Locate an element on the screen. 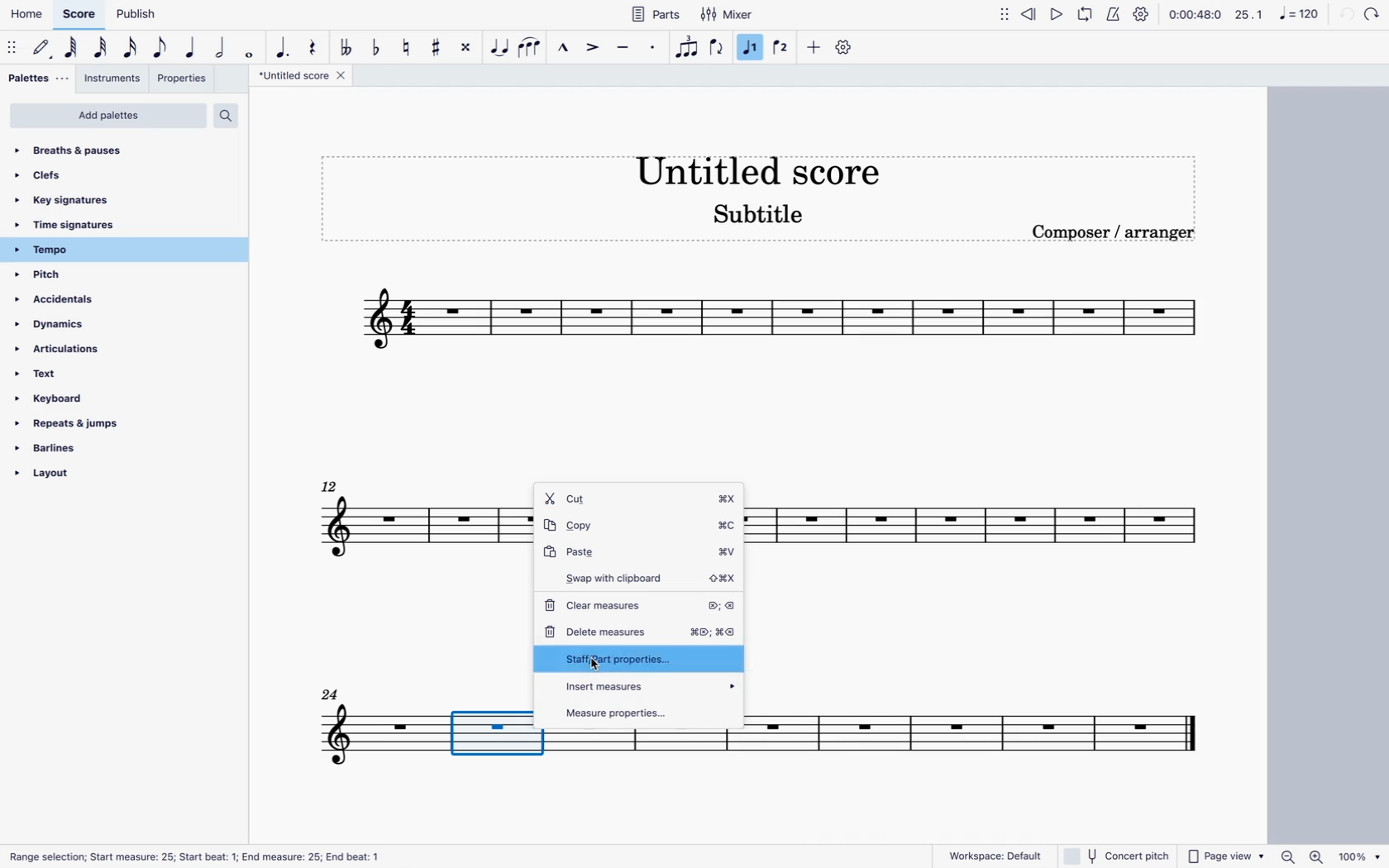  home is located at coordinates (29, 16).